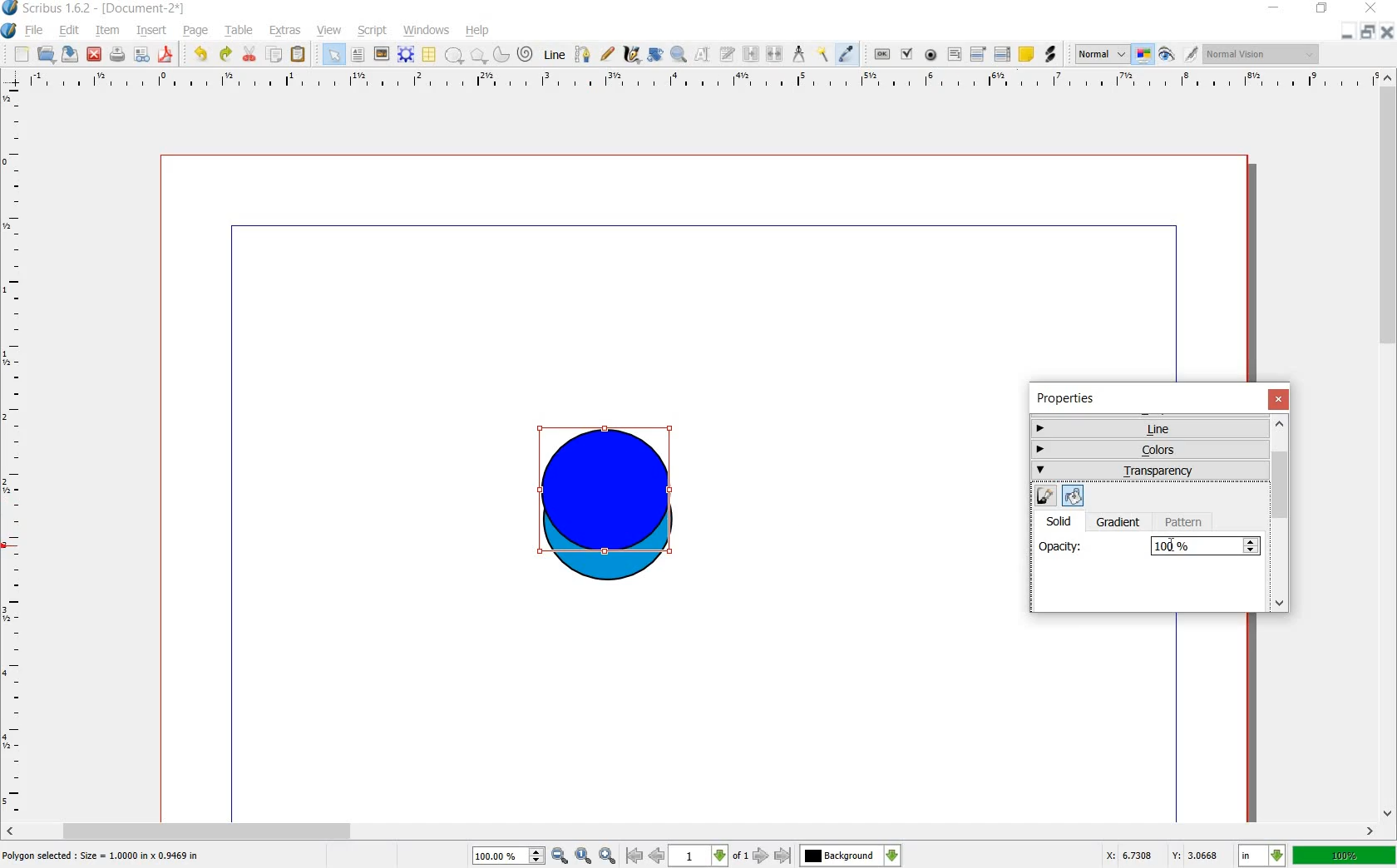 The image size is (1397, 868). I want to click on preflight verifier, so click(142, 55).